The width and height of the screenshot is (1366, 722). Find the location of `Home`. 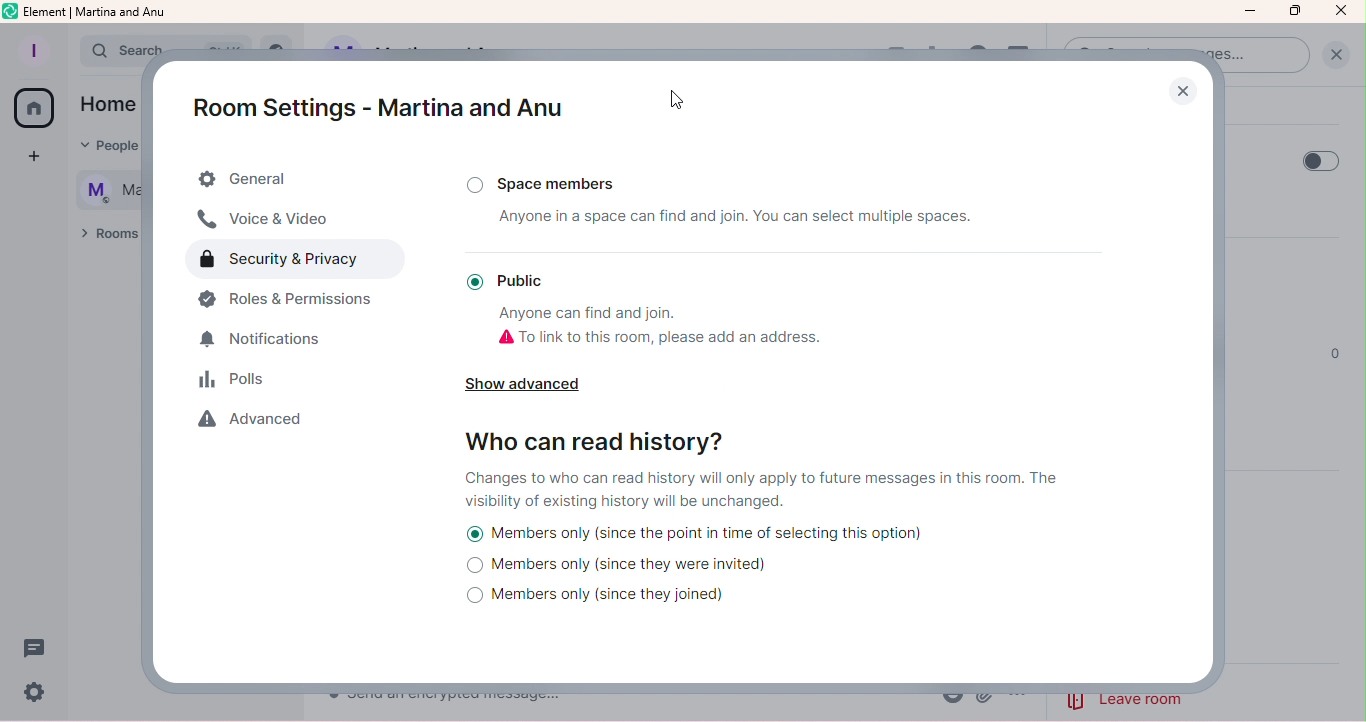

Home is located at coordinates (33, 109).